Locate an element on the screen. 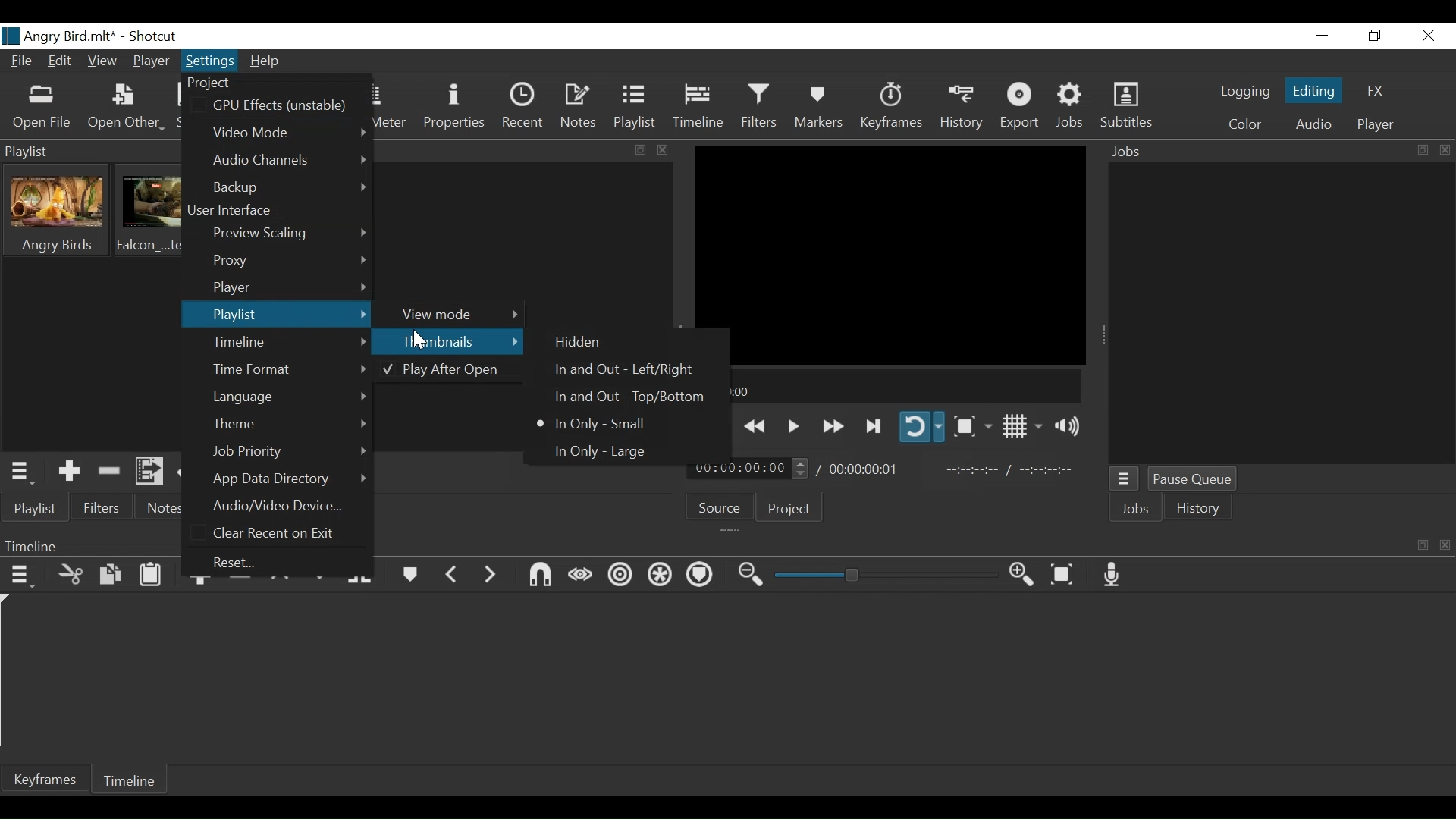 The width and height of the screenshot is (1456, 819). Media Viewer is located at coordinates (891, 254).